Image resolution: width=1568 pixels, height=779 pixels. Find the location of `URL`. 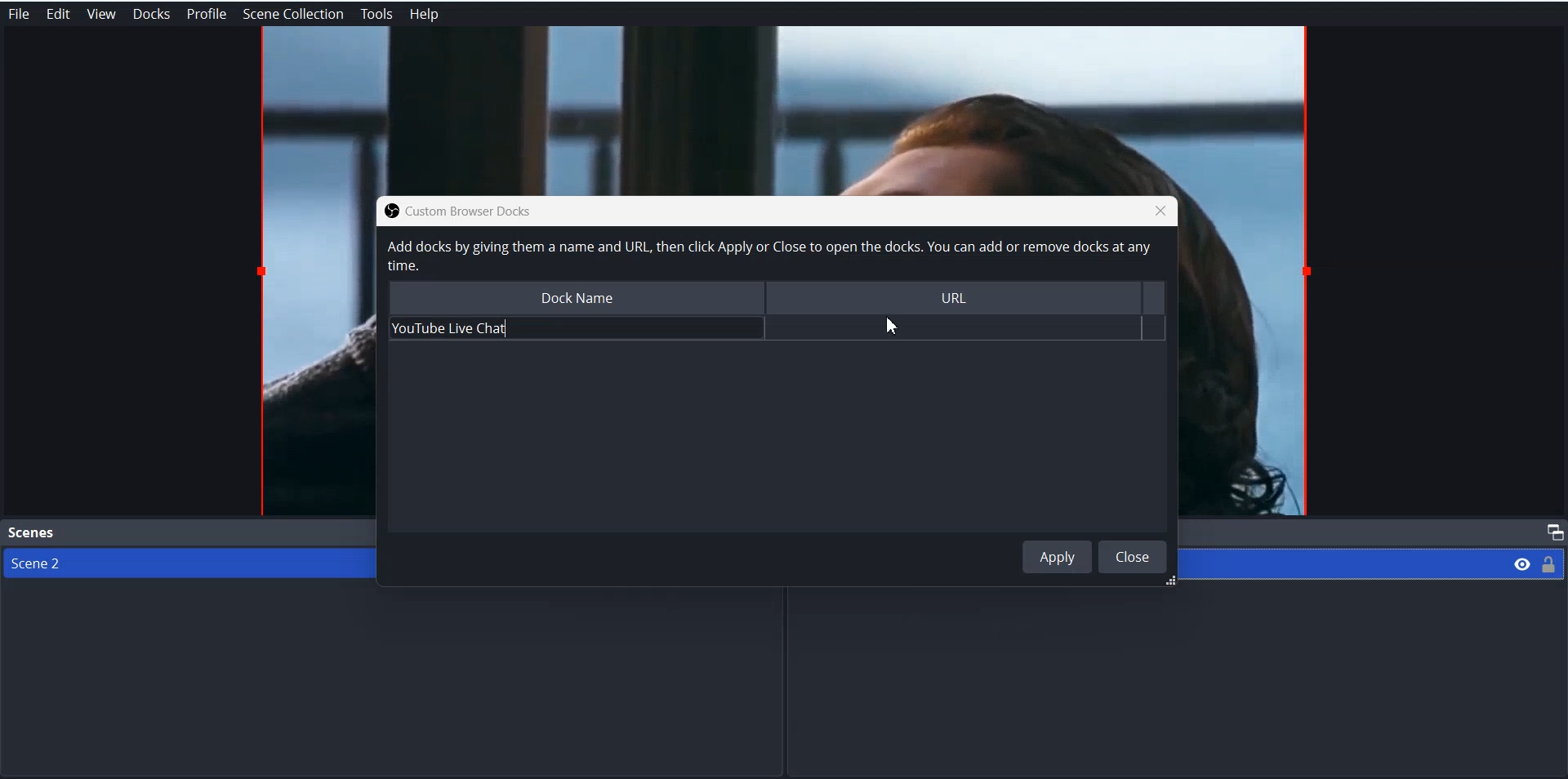

URL is located at coordinates (962, 300).